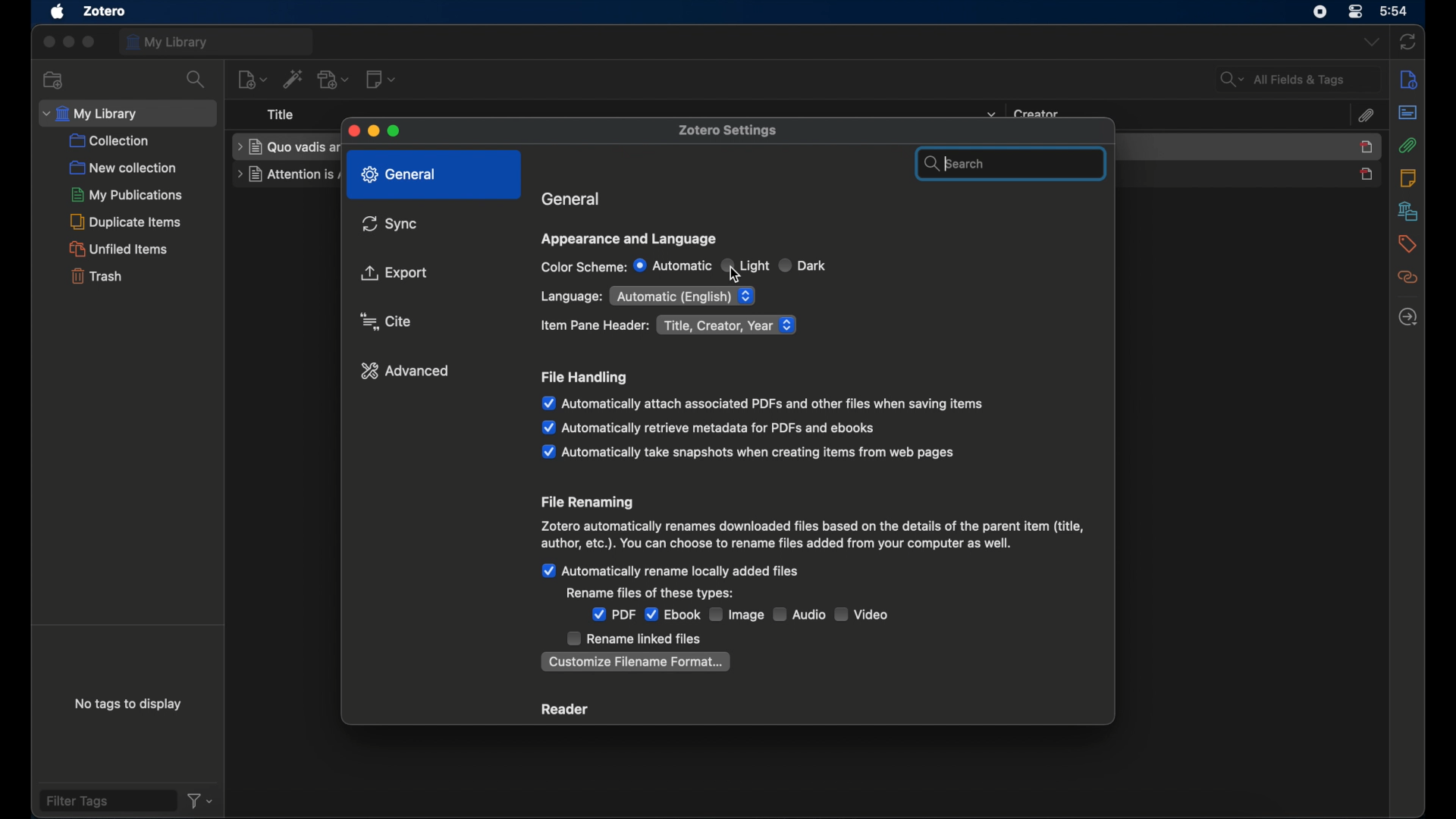 The height and width of the screenshot is (819, 1456). Describe the element at coordinates (90, 42) in the screenshot. I see `maximize` at that location.